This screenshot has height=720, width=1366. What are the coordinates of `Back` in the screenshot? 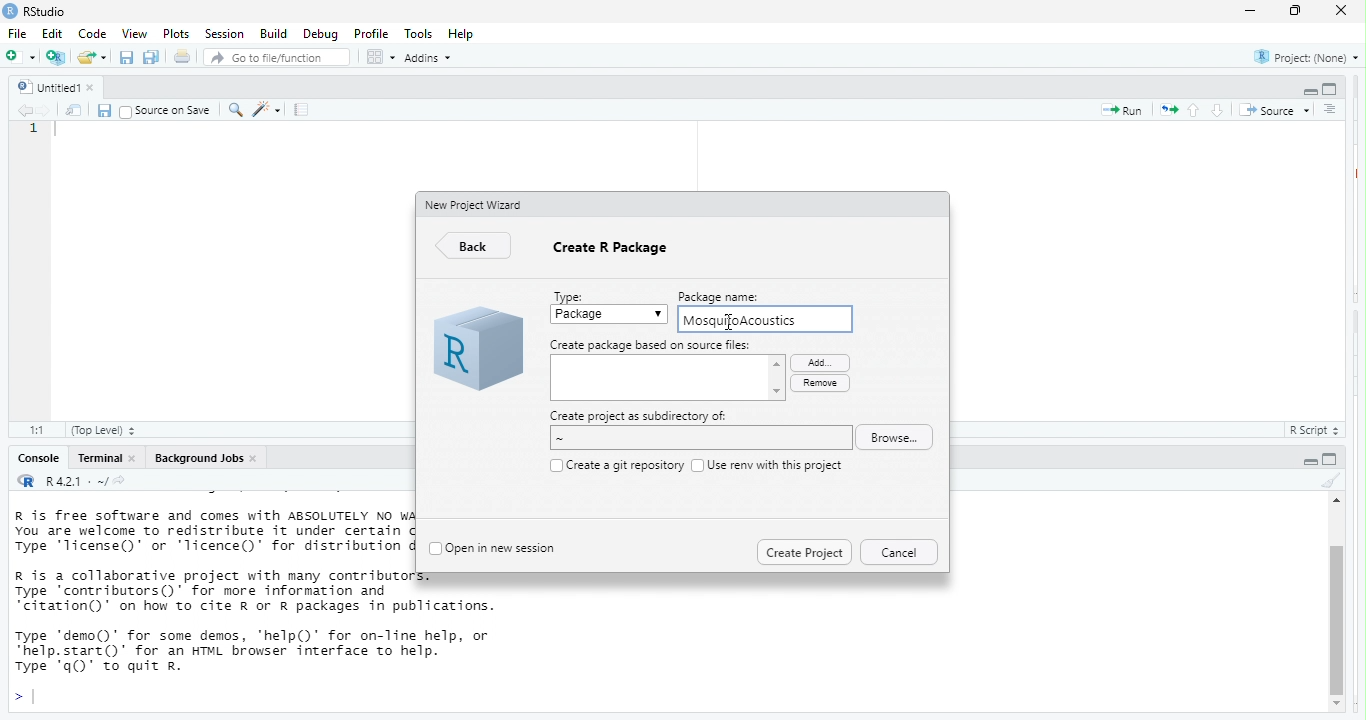 It's located at (476, 247).